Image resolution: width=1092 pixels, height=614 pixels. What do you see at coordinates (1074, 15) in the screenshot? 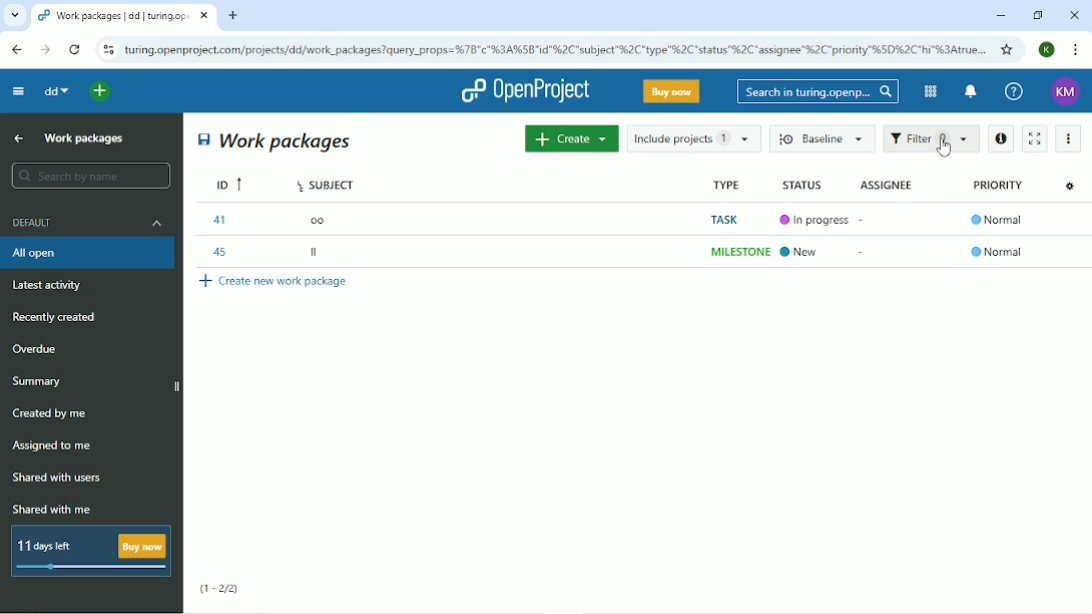
I see `Close` at bounding box center [1074, 15].